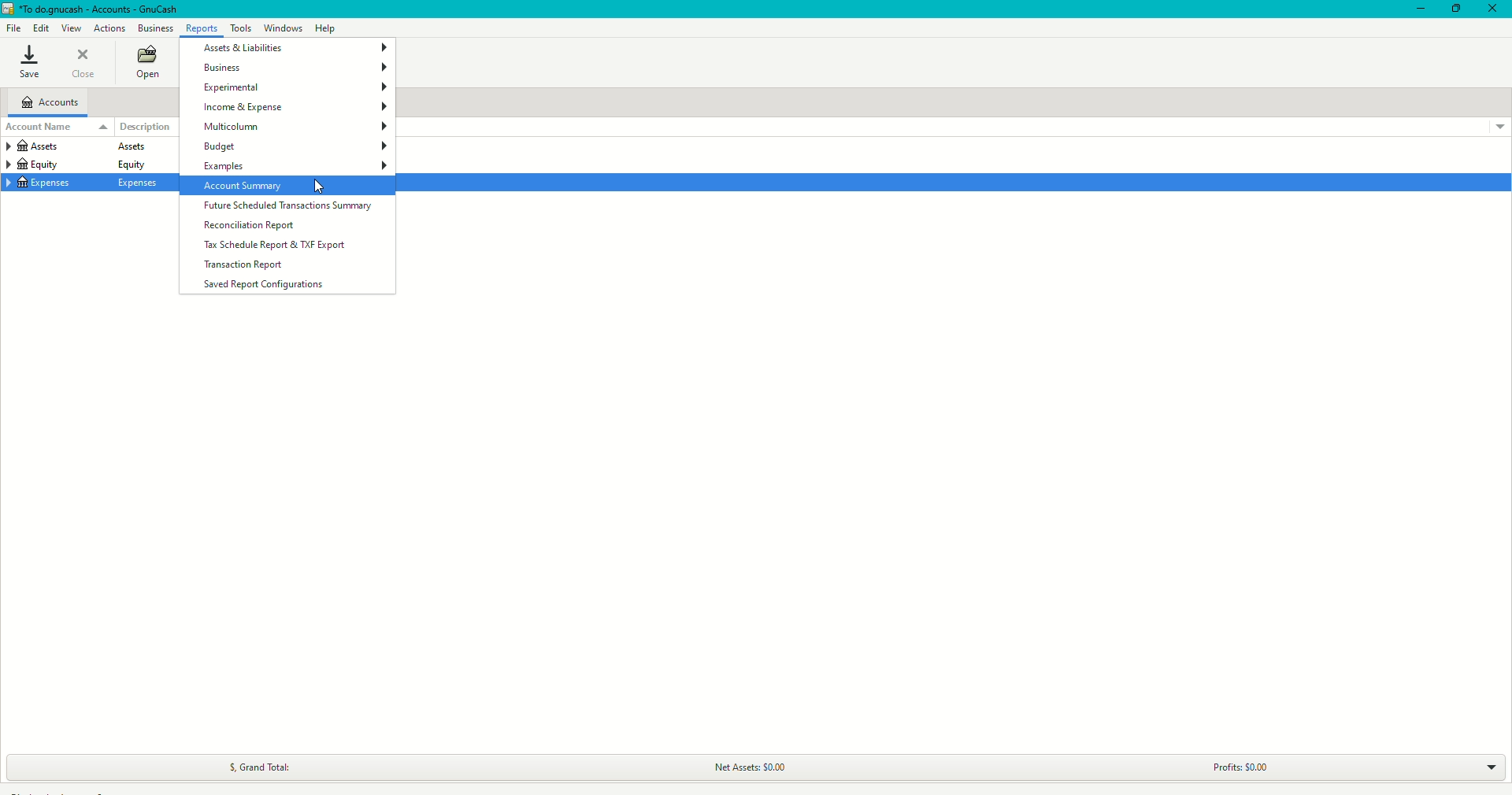 This screenshot has height=795, width=1512. Describe the element at coordinates (1497, 126) in the screenshot. I see `Drop down` at that location.